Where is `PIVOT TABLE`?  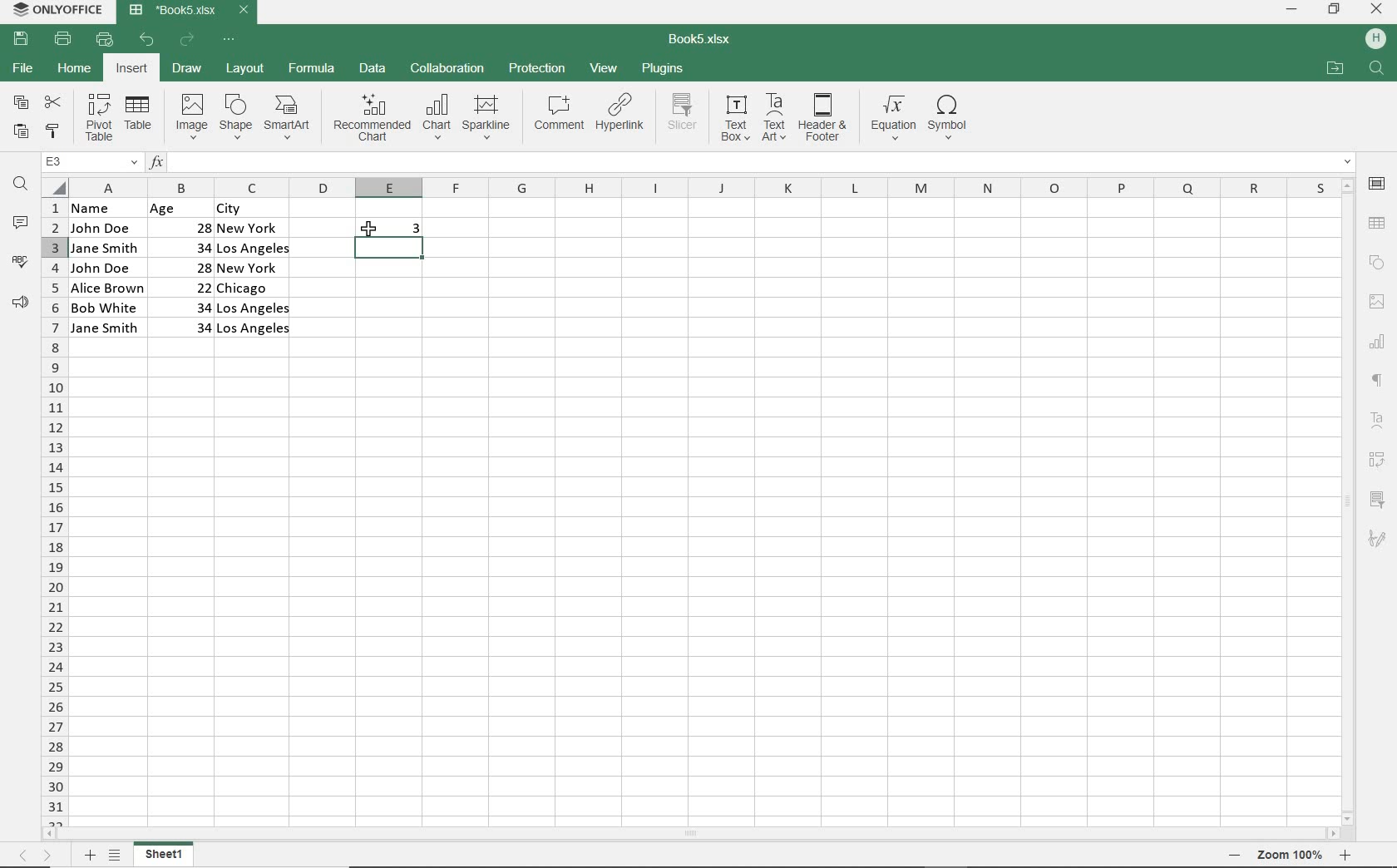
PIVOT TABLE is located at coordinates (1380, 457).